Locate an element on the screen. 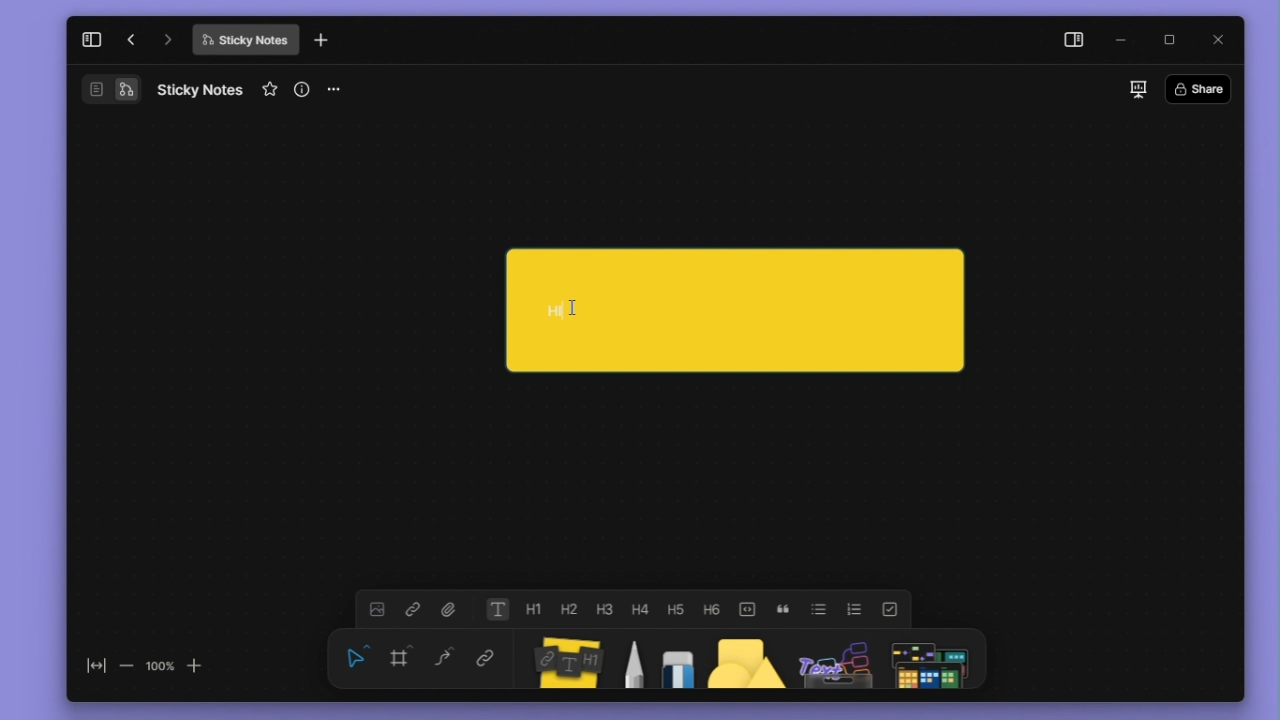 This screenshot has height=720, width=1280. favourite is located at coordinates (270, 92).